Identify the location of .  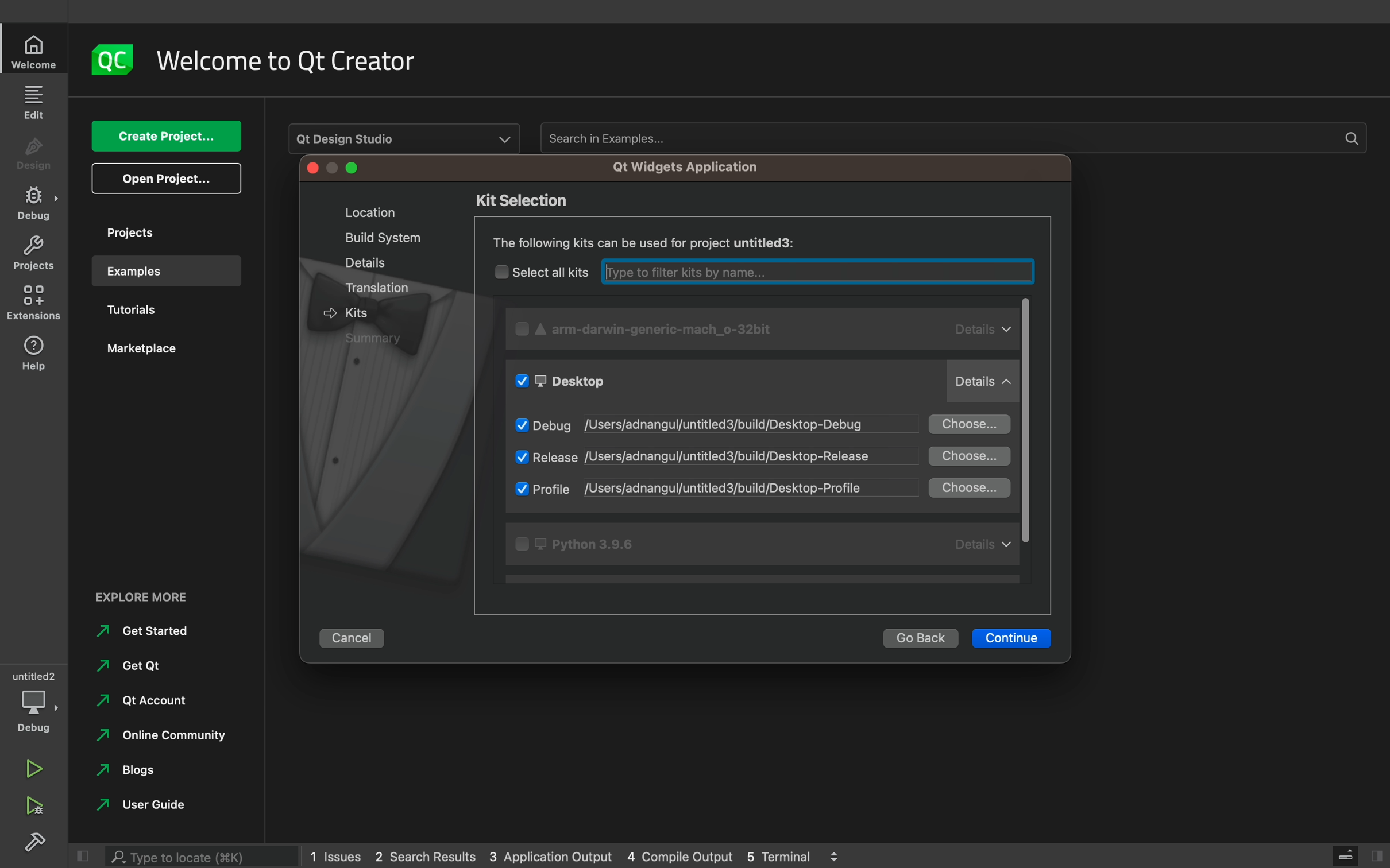
(133, 664).